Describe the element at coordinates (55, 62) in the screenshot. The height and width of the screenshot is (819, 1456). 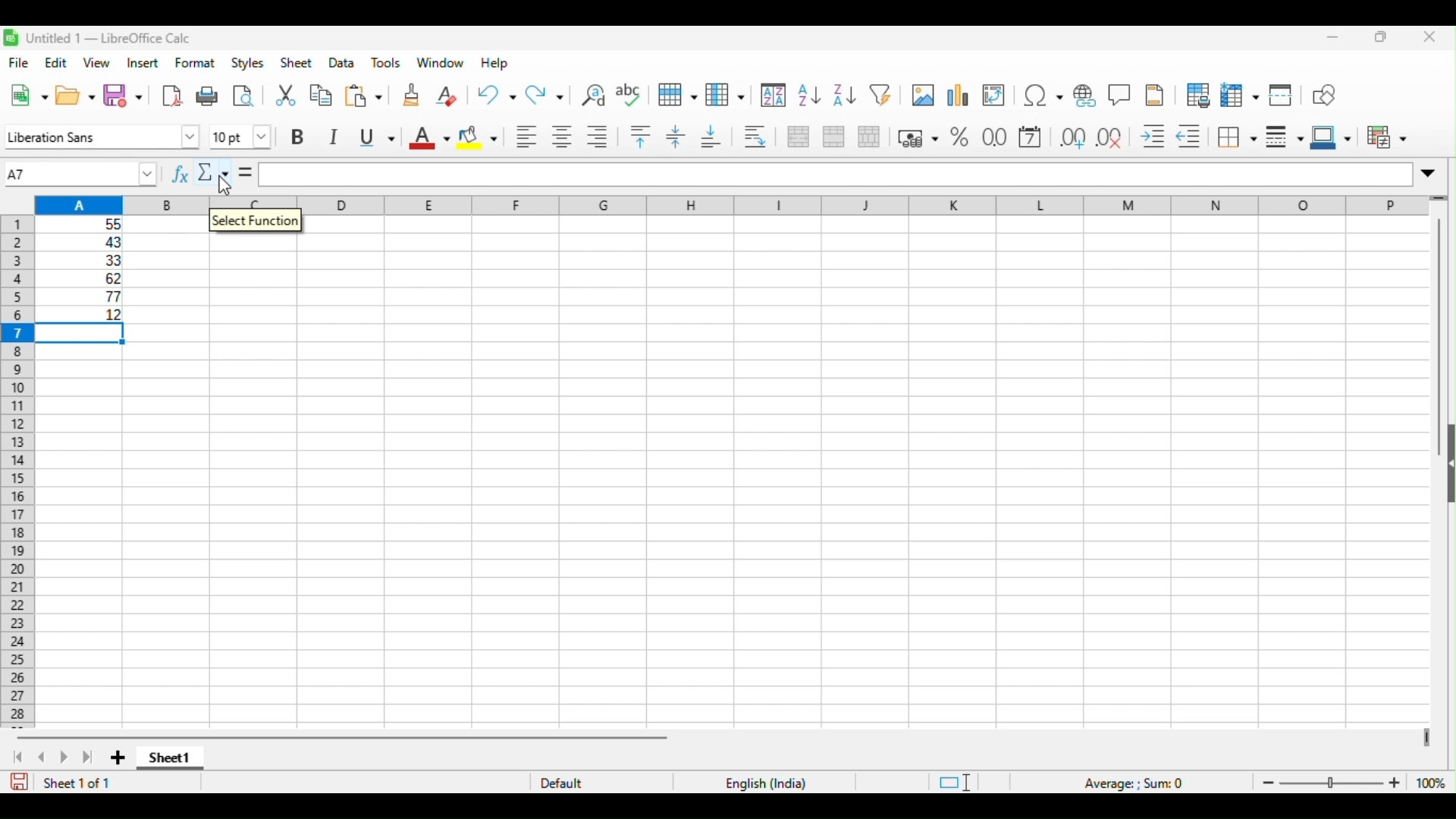
I see `edit` at that location.